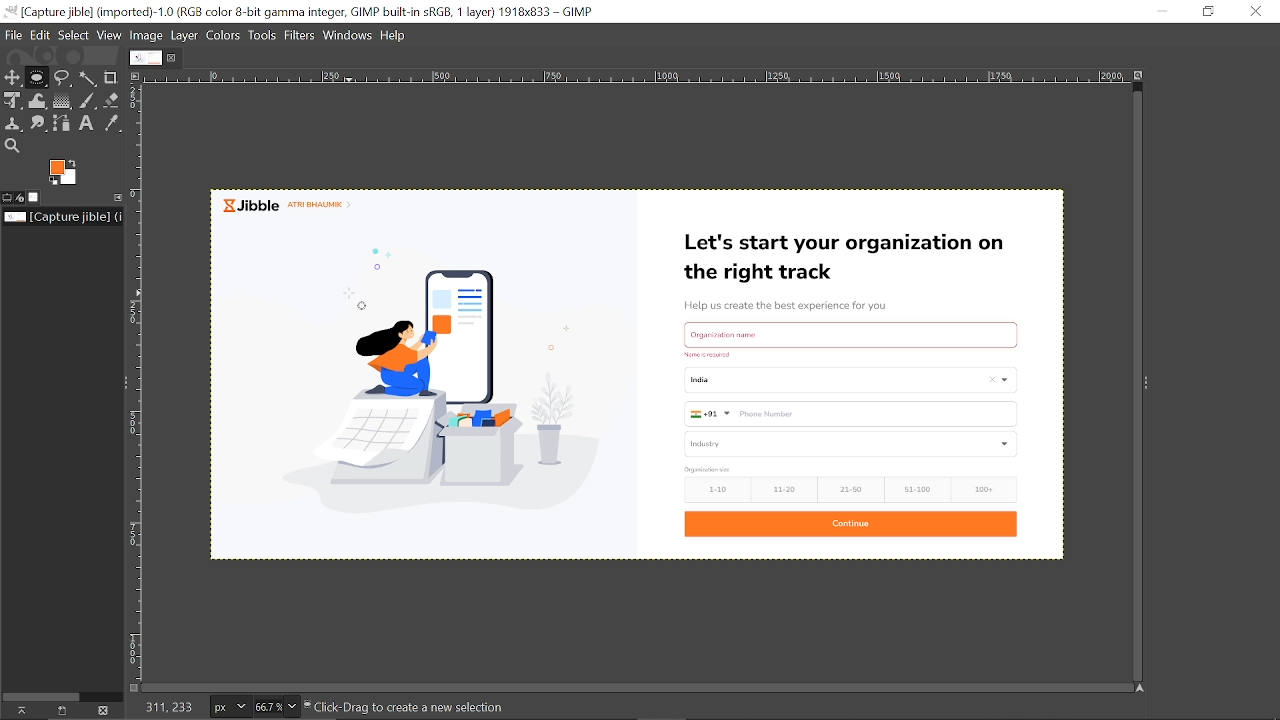  What do you see at coordinates (302, 35) in the screenshot?
I see `Filters` at bounding box center [302, 35].